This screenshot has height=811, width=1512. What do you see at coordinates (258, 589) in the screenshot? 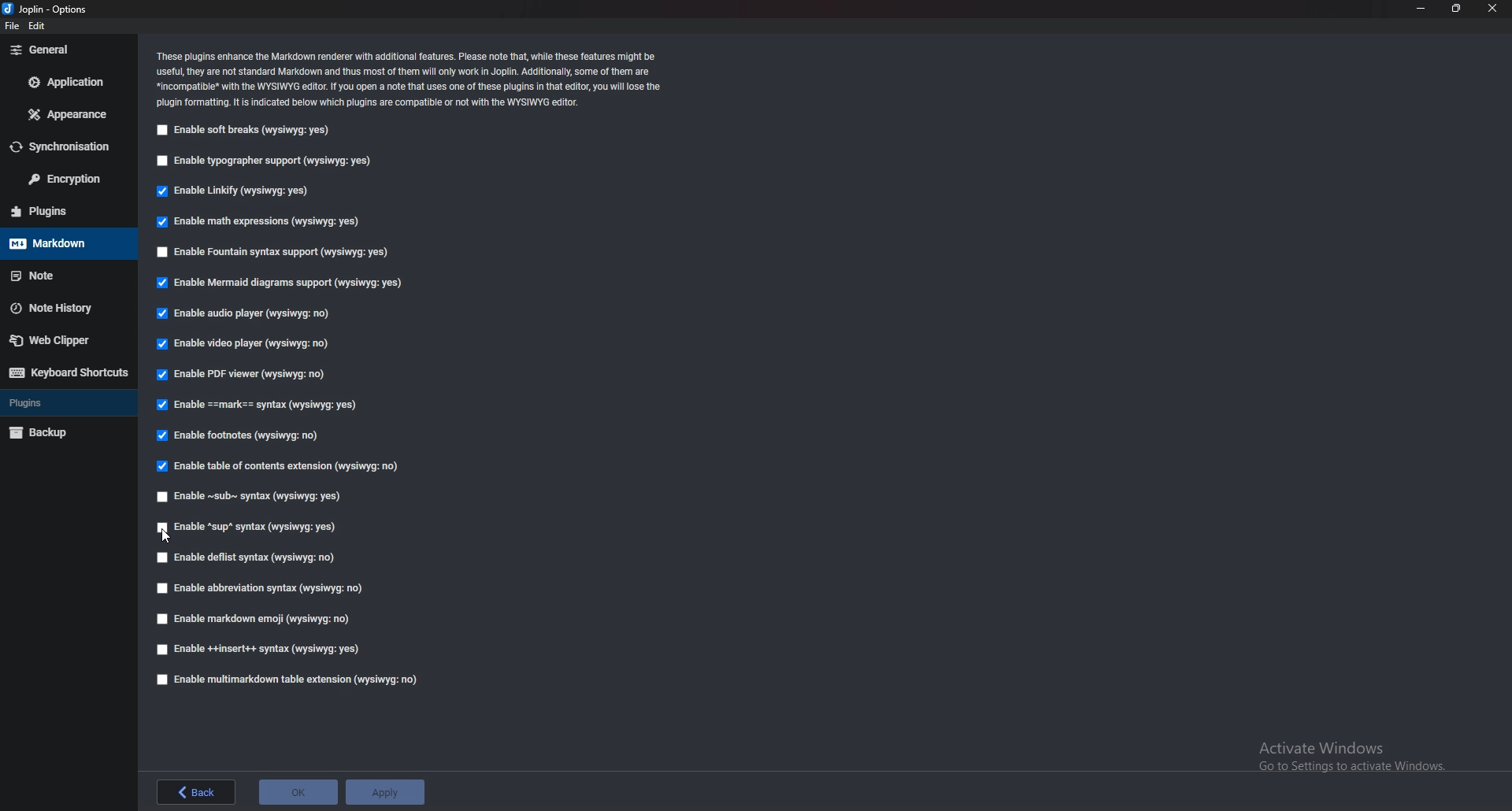
I see `Enable abbreviation syntax (wysiwyg: no)` at bounding box center [258, 589].